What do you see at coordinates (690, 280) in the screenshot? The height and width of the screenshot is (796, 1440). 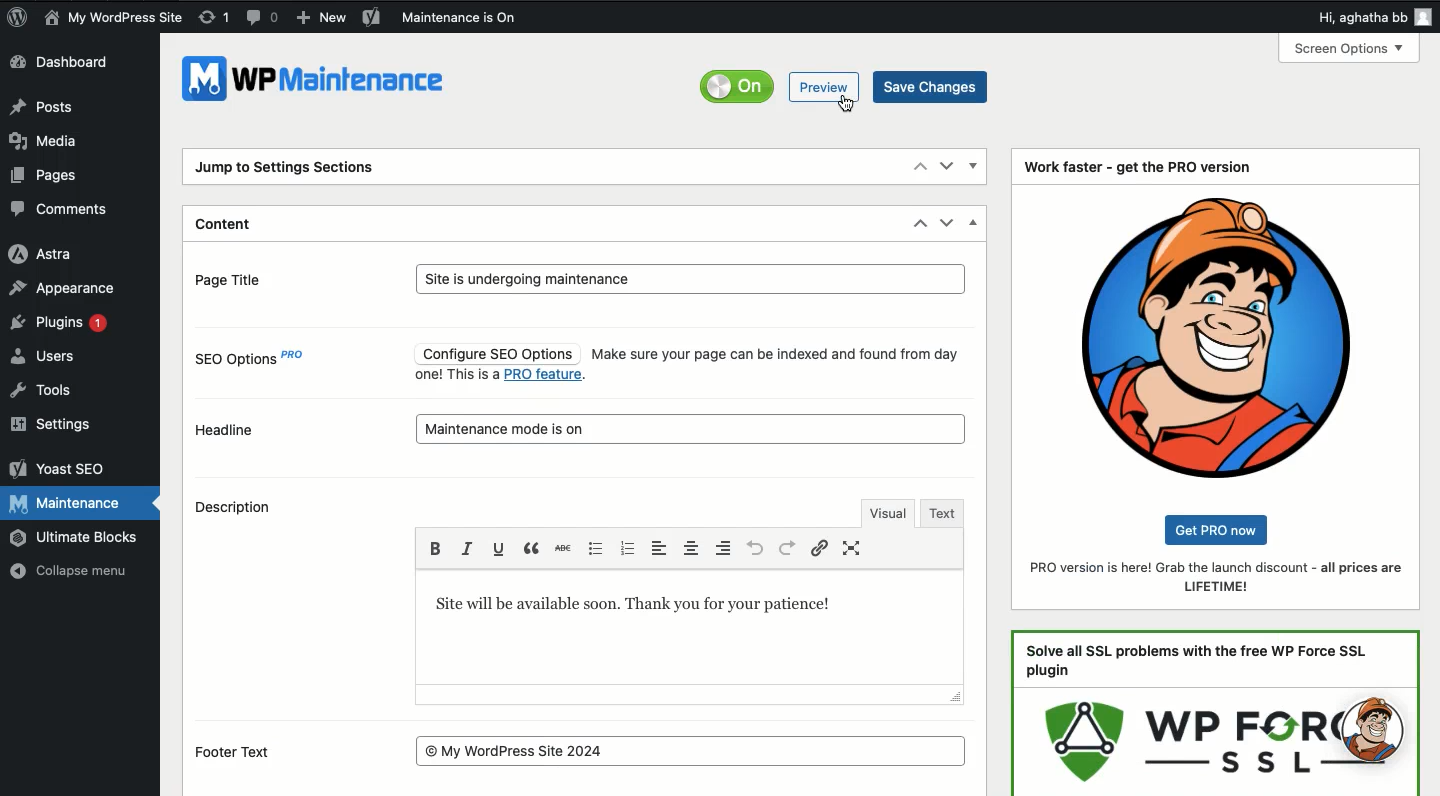 I see `Site is undergoing maintenance` at bounding box center [690, 280].